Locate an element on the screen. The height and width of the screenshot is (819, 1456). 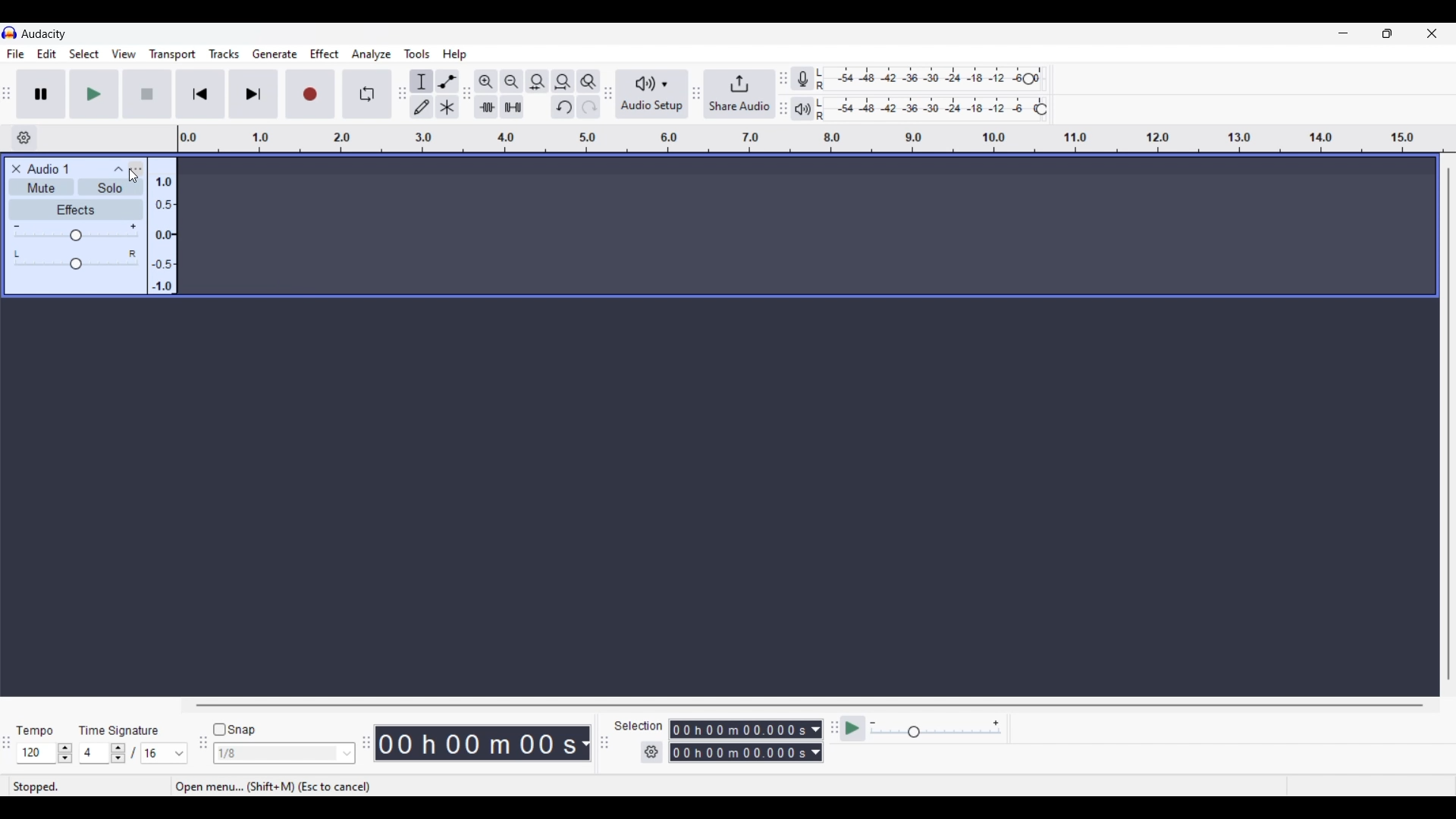
Redo is located at coordinates (588, 106).